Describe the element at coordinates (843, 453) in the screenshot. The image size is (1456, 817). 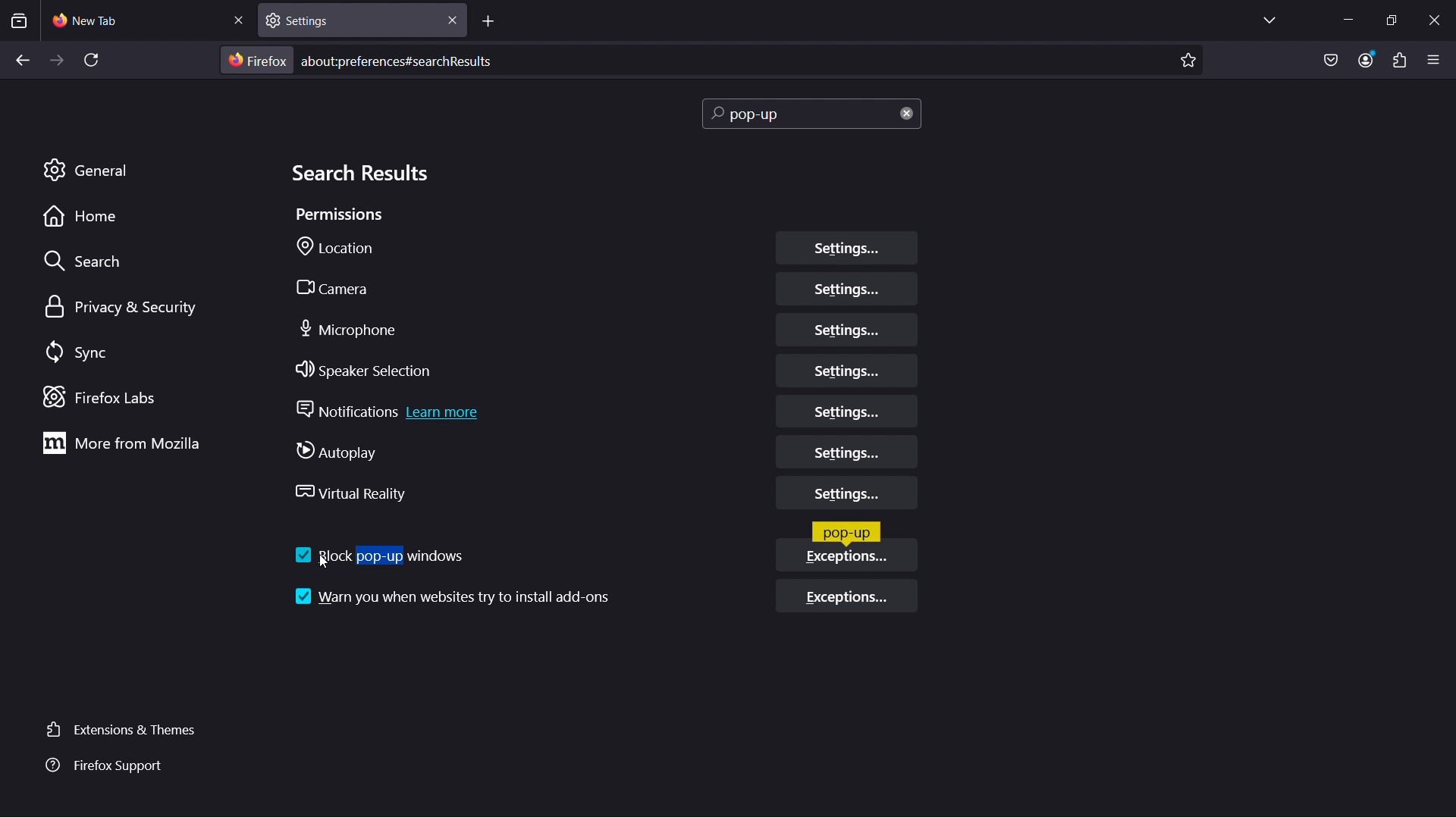
I see `Autoplay Settings` at that location.